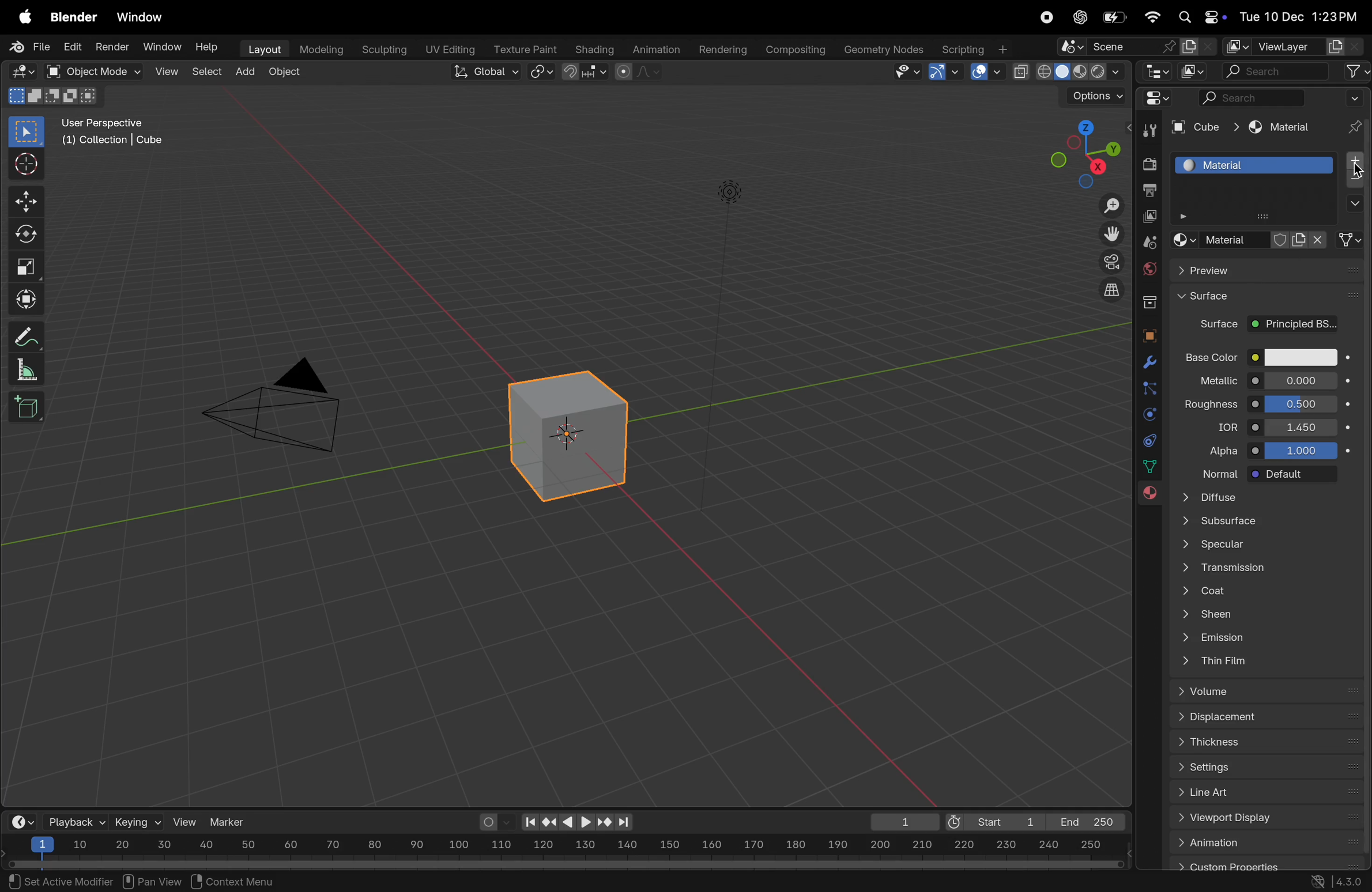 This screenshot has width=1372, height=892. Describe the element at coordinates (1149, 243) in the screenshot. I see `scene` at that location.